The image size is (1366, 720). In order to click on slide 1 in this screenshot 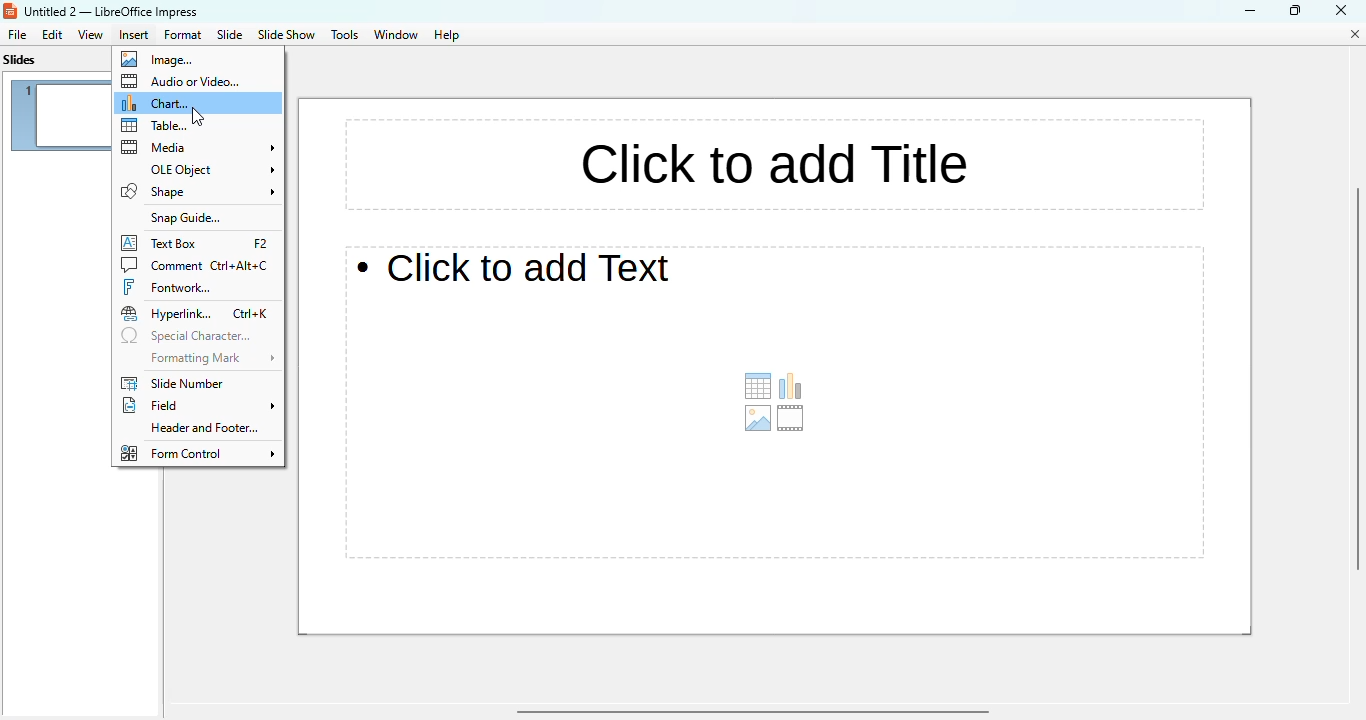, I will do `click(60, 115)`.